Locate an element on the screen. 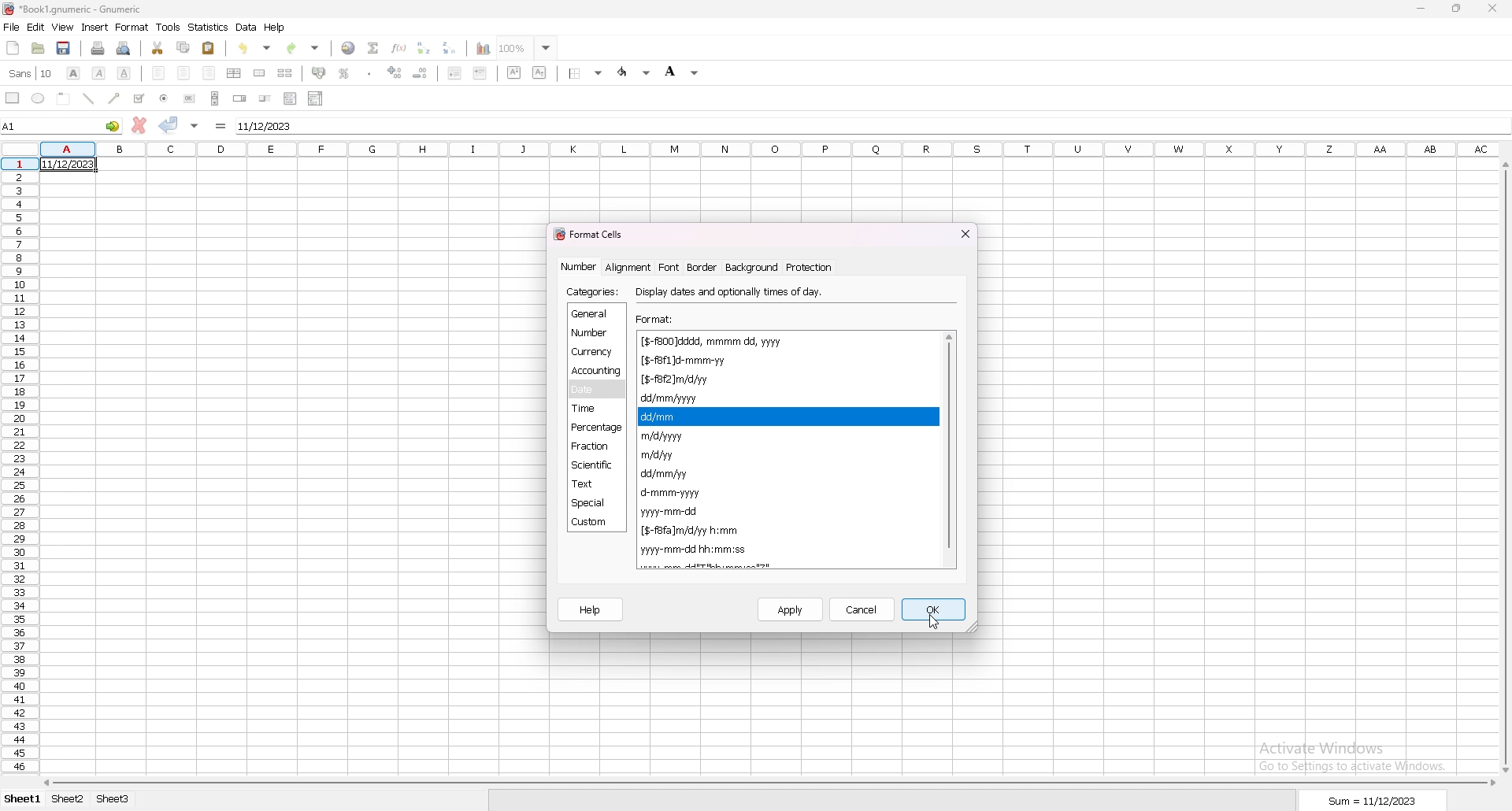 This screenshot has height=811, width=1512. close is located at coordinates (965, 233).